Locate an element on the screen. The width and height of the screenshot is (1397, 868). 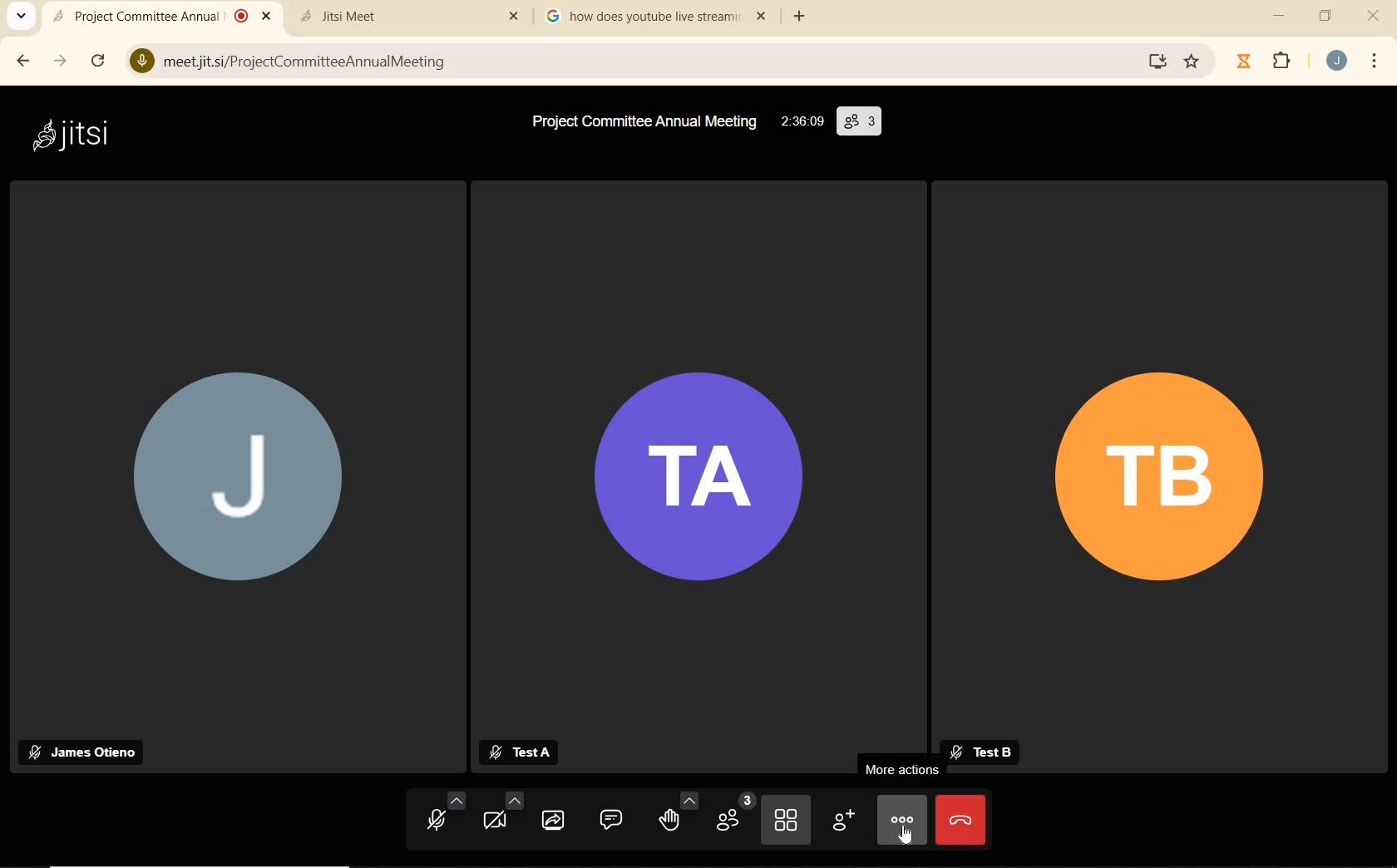
how does youtube live stream is located at coordinates (659, 17).